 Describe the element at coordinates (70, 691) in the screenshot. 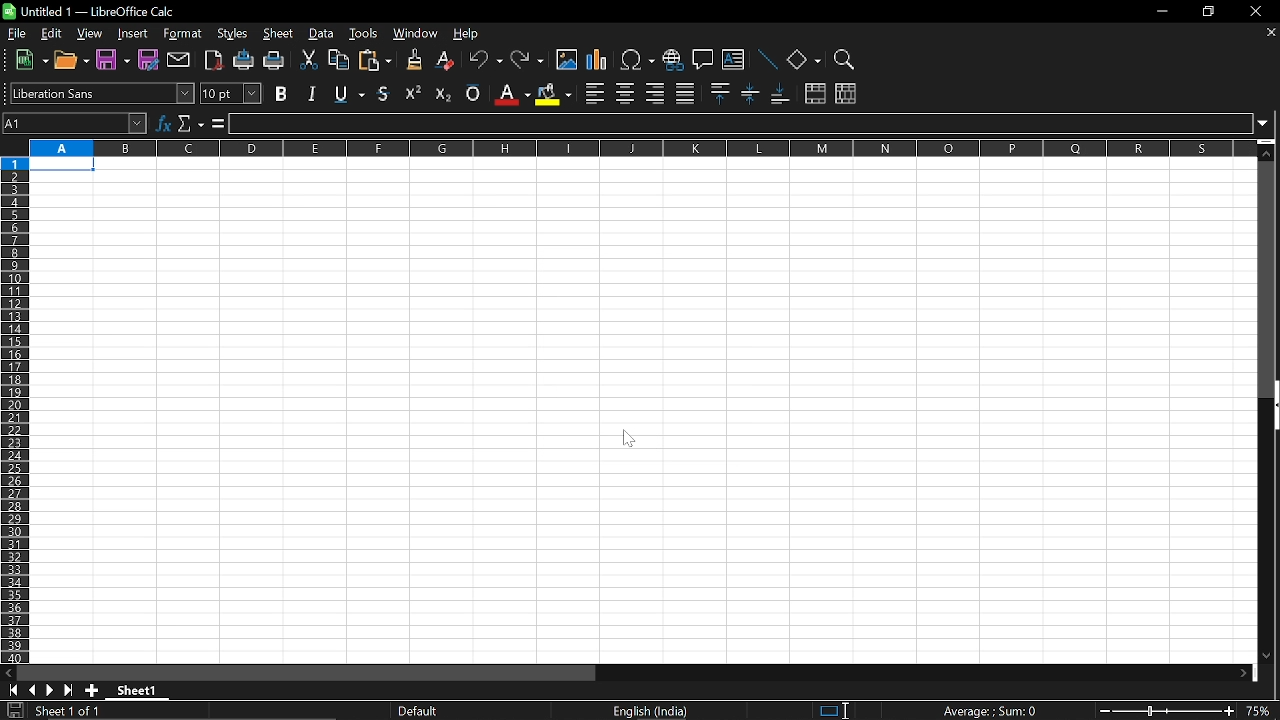

I see `go to last page` at that location.